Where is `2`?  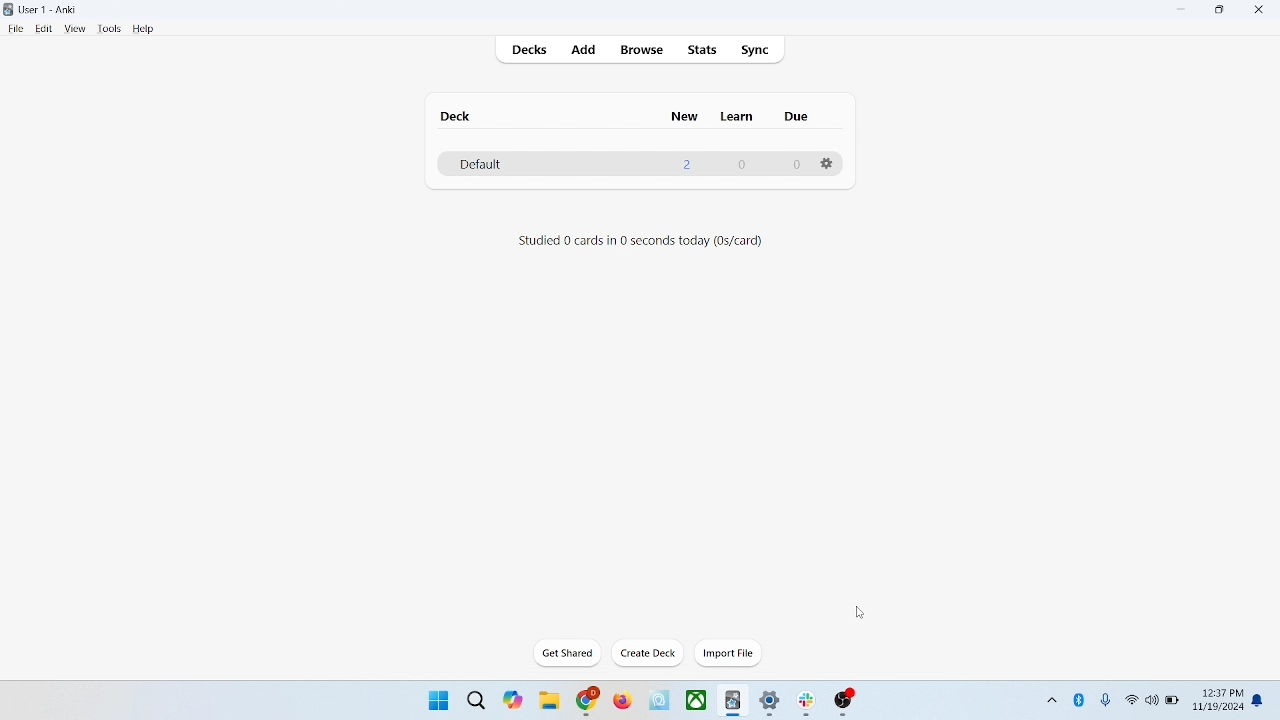
2 is located at coordinates (687, 164).